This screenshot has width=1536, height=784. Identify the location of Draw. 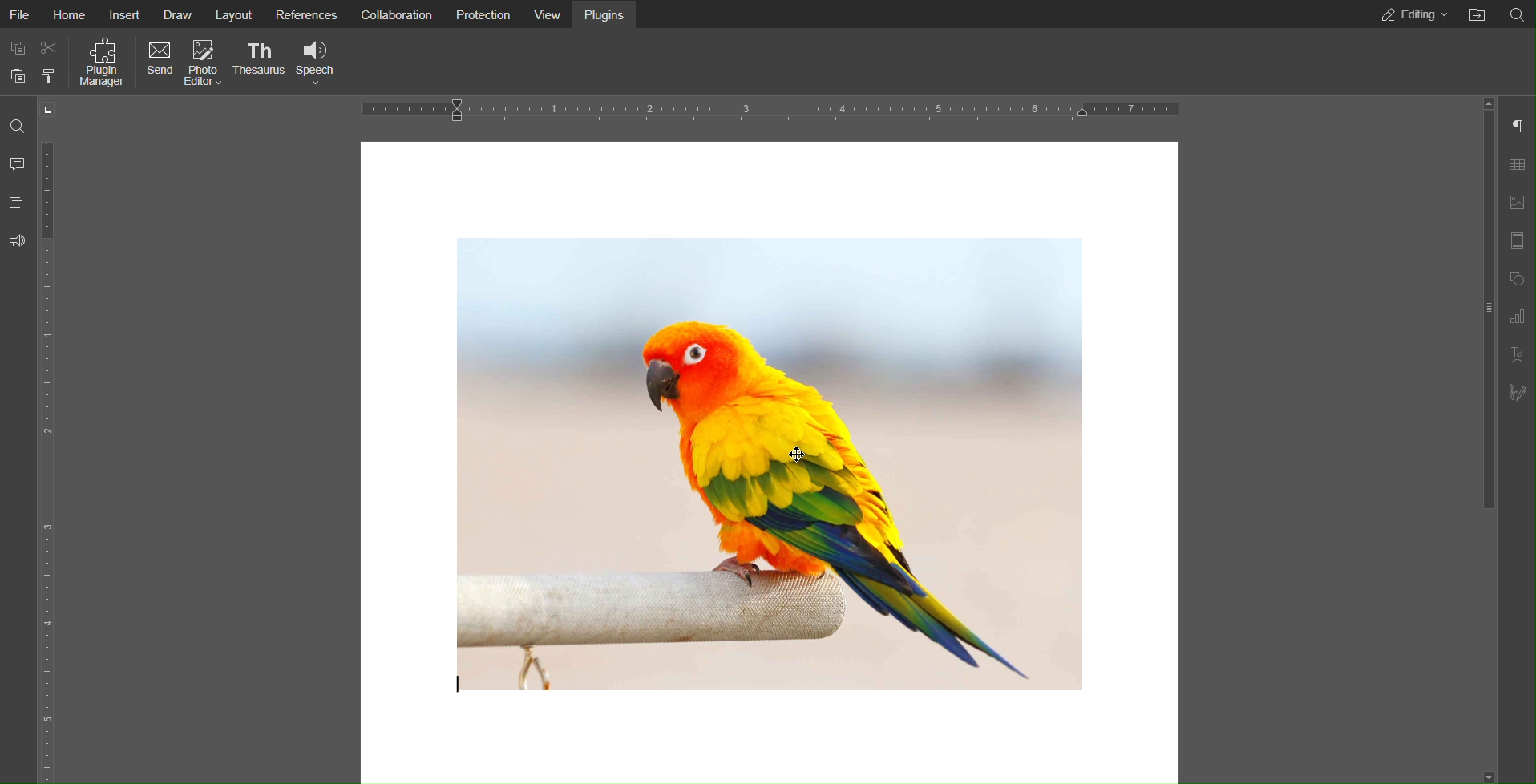
(180, 13).